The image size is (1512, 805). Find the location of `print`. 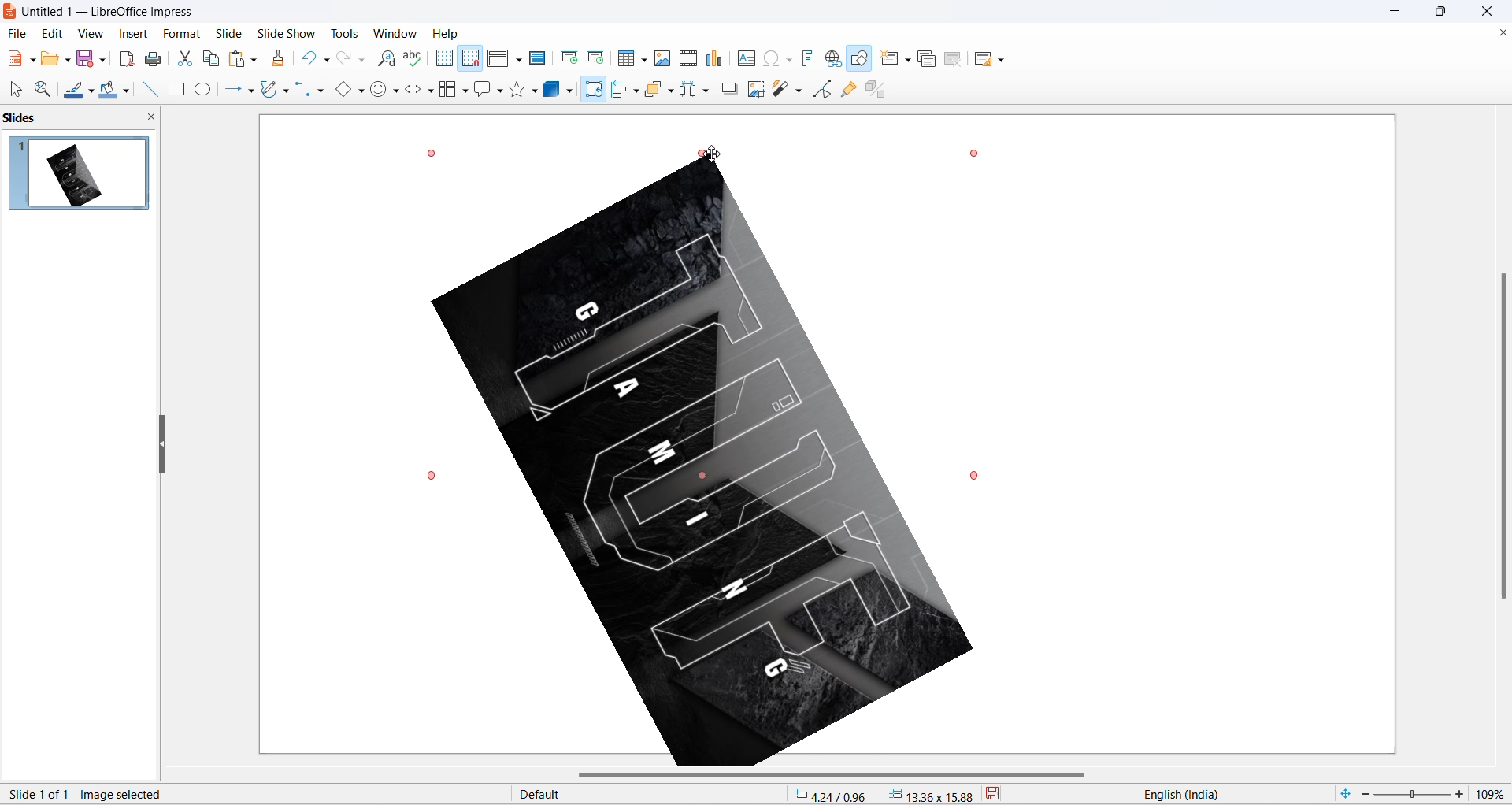

print is located at coordinates (158, 59).